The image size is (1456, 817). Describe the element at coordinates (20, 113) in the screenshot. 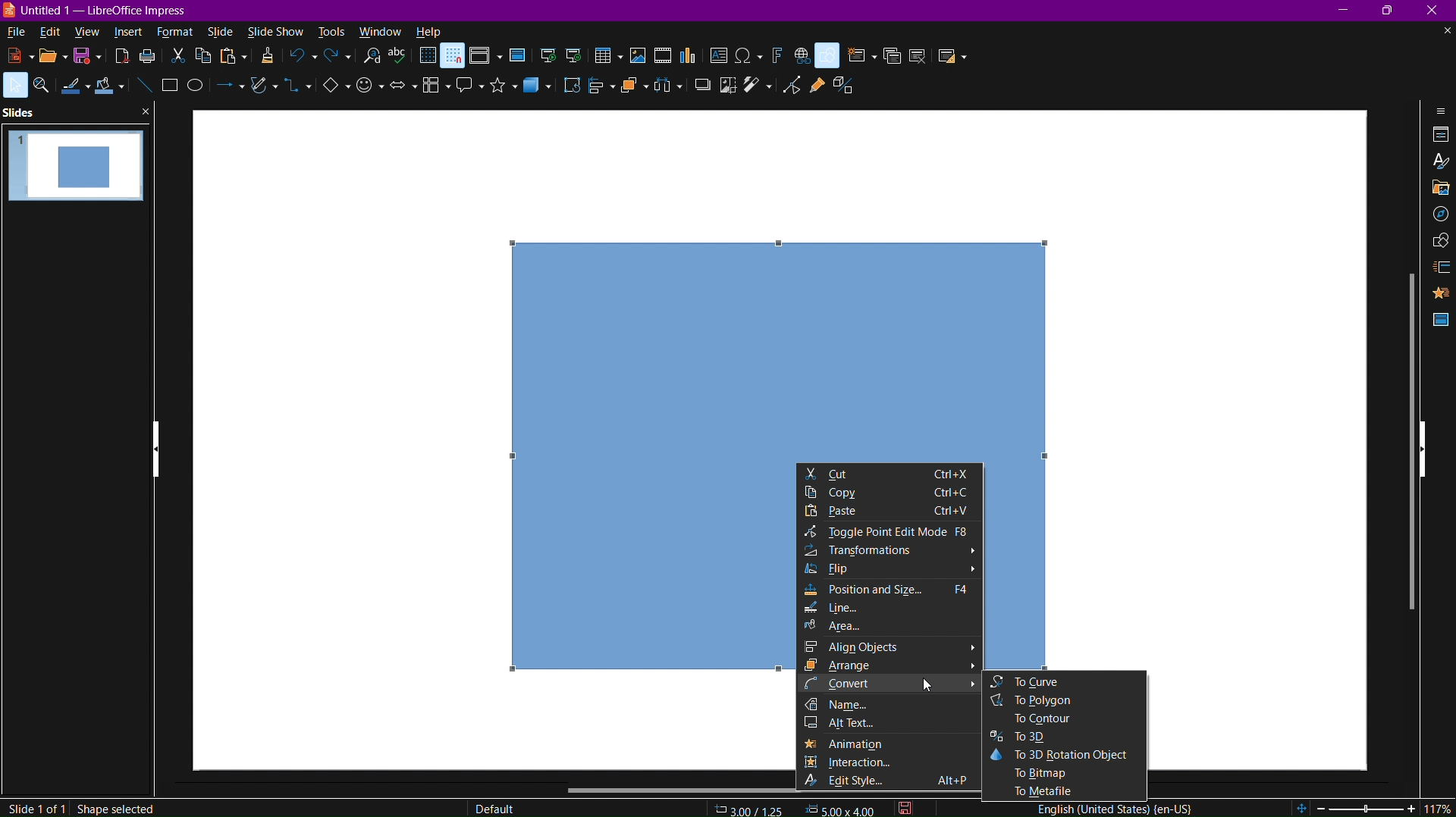

I see `Slides` at that location.